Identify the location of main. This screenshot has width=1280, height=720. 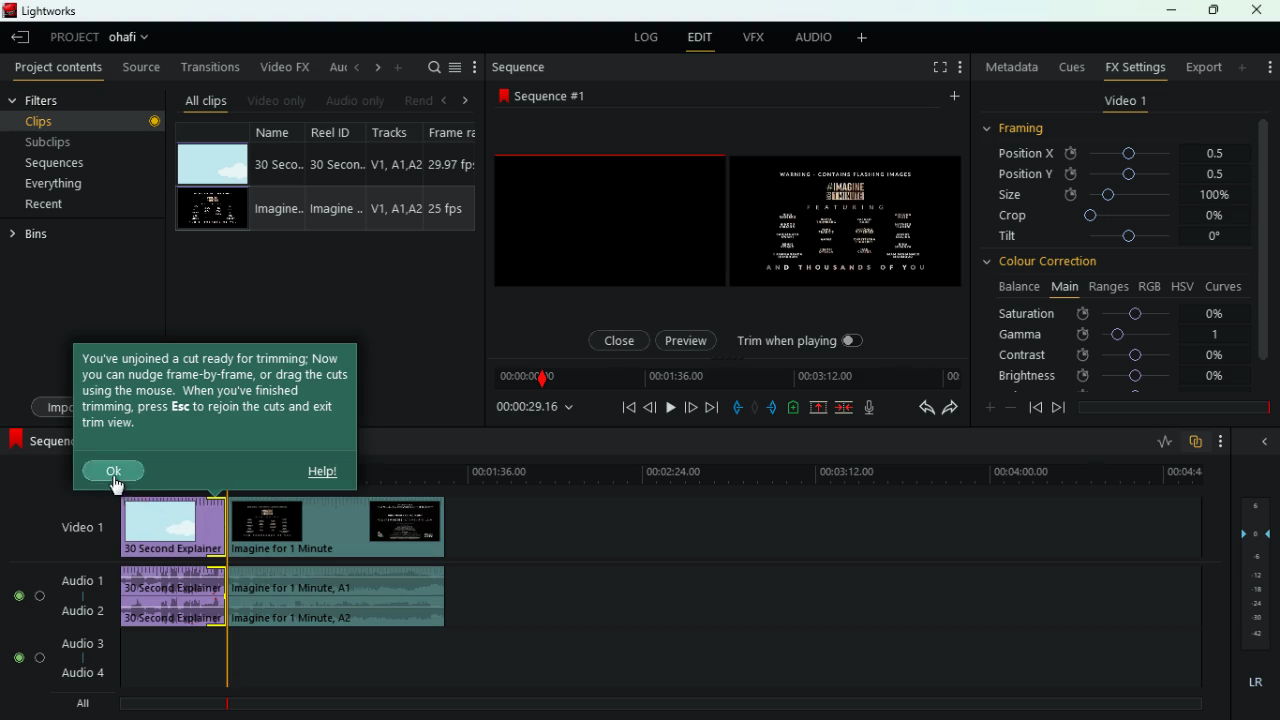
(1064, 285).